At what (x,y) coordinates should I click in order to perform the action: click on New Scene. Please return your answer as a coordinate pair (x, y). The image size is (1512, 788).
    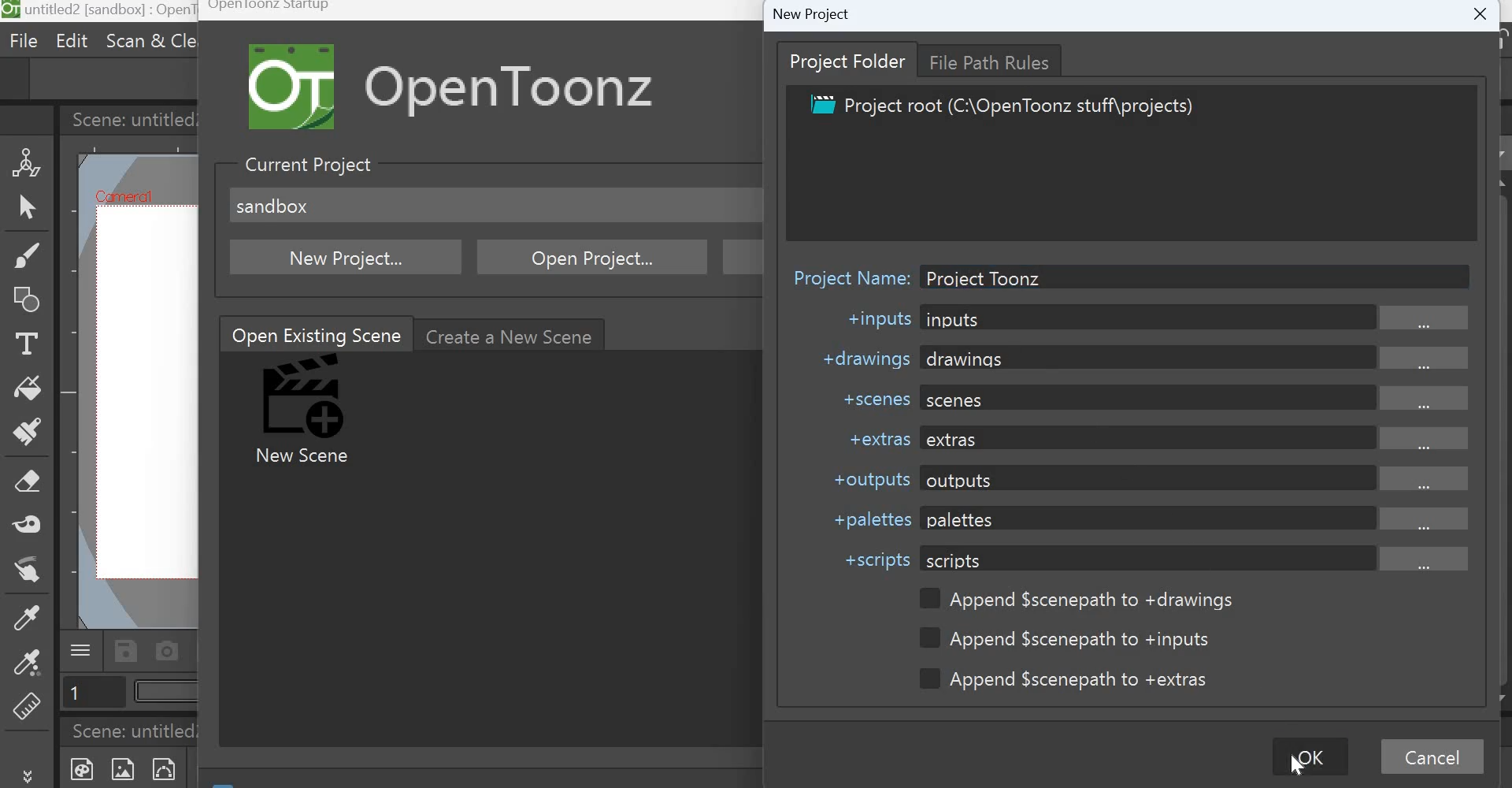
    Looking at the image, I should click on (307, 412).